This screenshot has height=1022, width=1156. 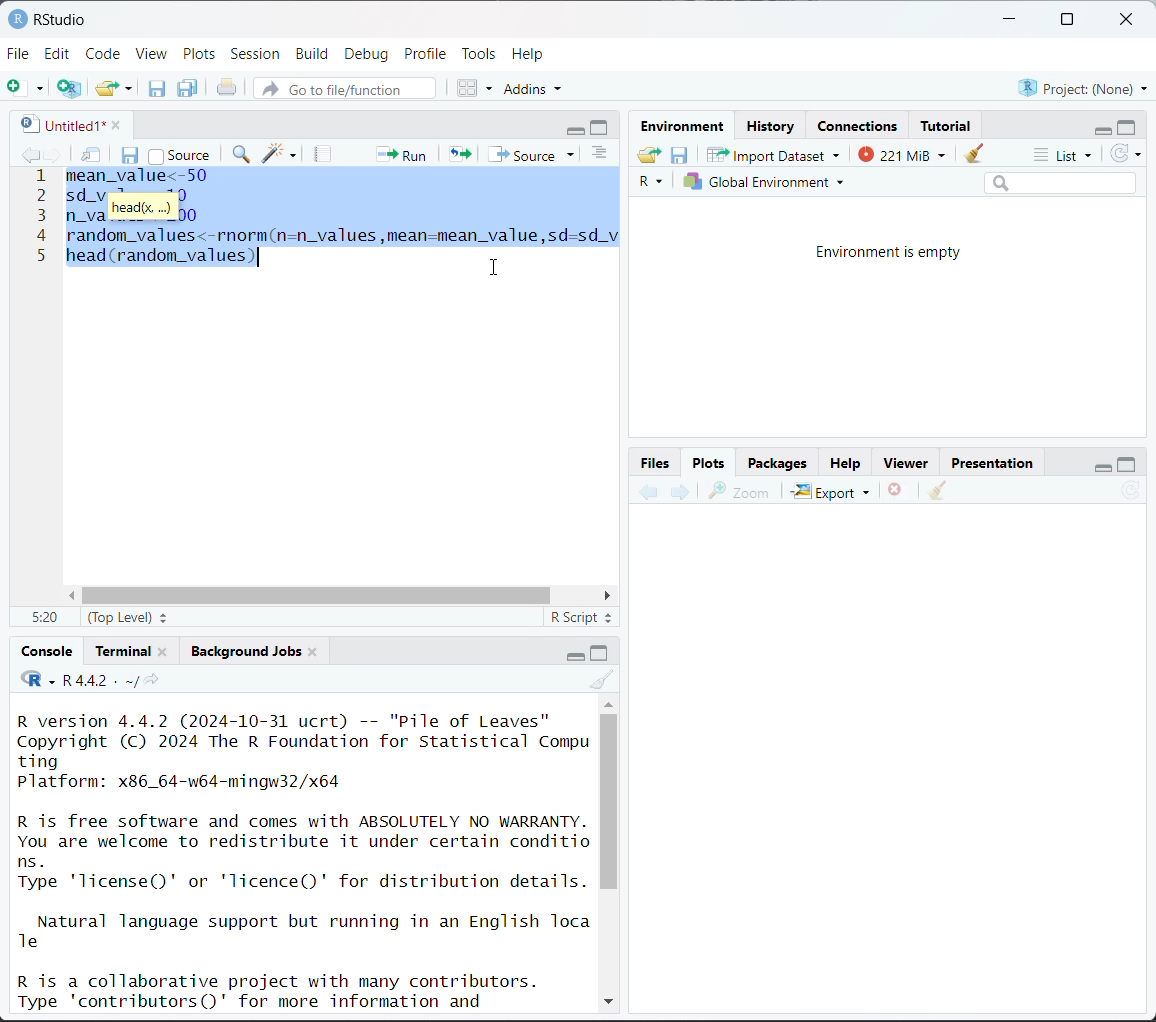 I want to click on move left, so click(x=76, y=596).